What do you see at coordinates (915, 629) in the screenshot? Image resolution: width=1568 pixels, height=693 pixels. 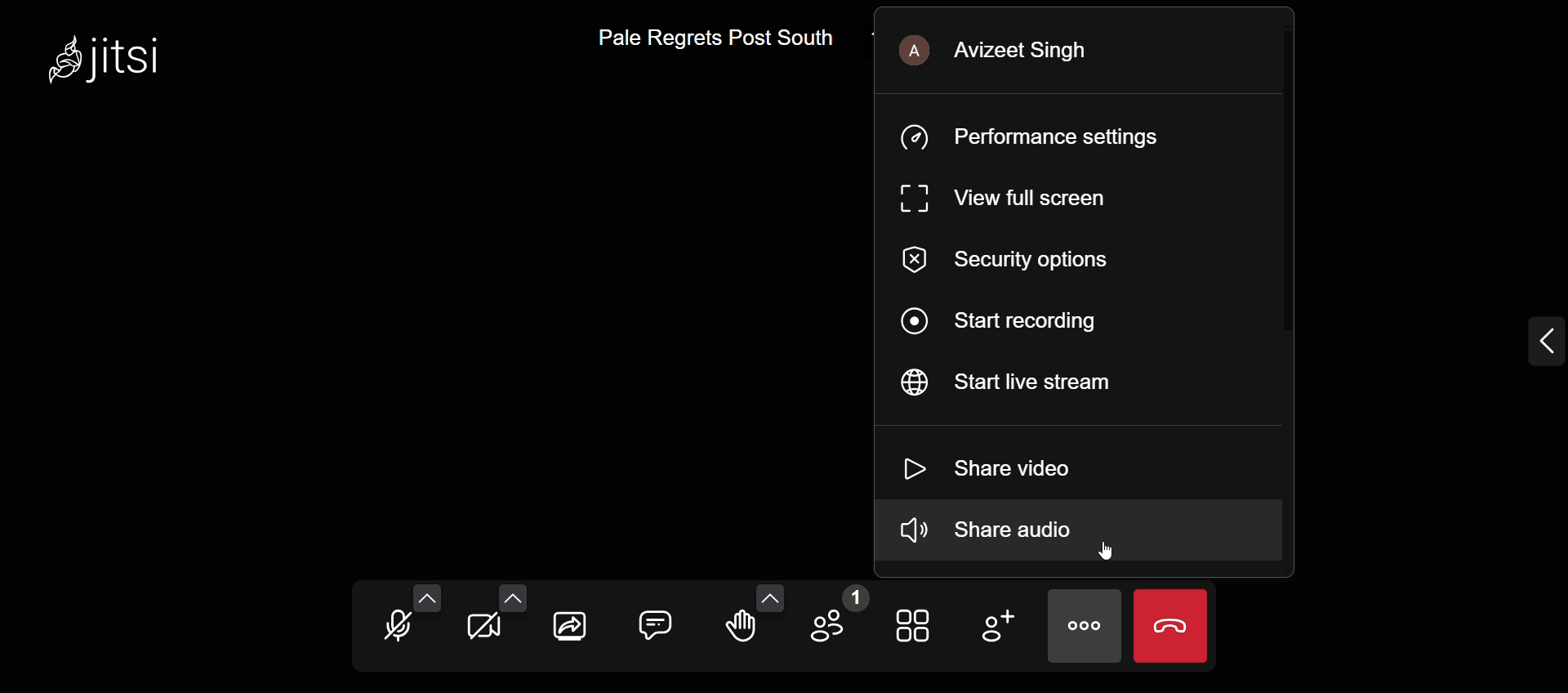 I see `toggle view` at bounding box center [915, 629].